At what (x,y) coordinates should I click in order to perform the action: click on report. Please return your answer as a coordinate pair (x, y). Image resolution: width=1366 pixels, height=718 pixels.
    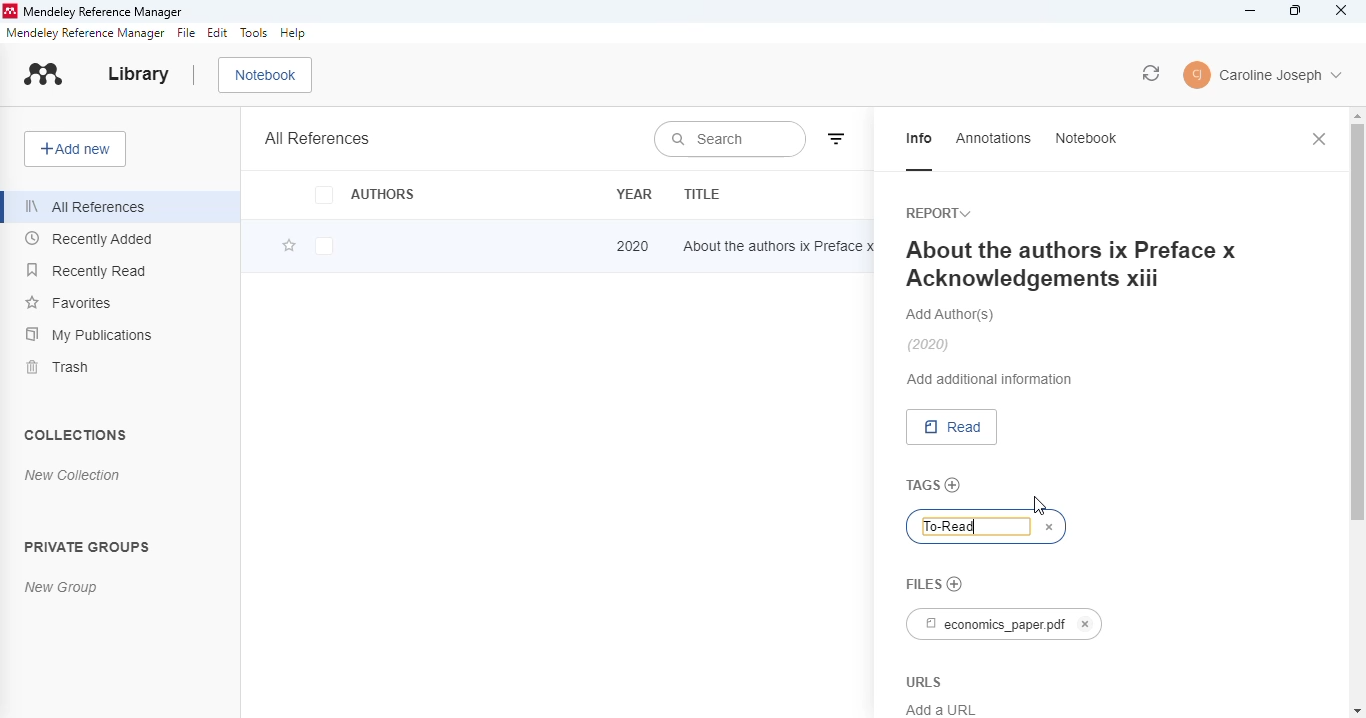
    Looking at the image, I should click on (937, 214).